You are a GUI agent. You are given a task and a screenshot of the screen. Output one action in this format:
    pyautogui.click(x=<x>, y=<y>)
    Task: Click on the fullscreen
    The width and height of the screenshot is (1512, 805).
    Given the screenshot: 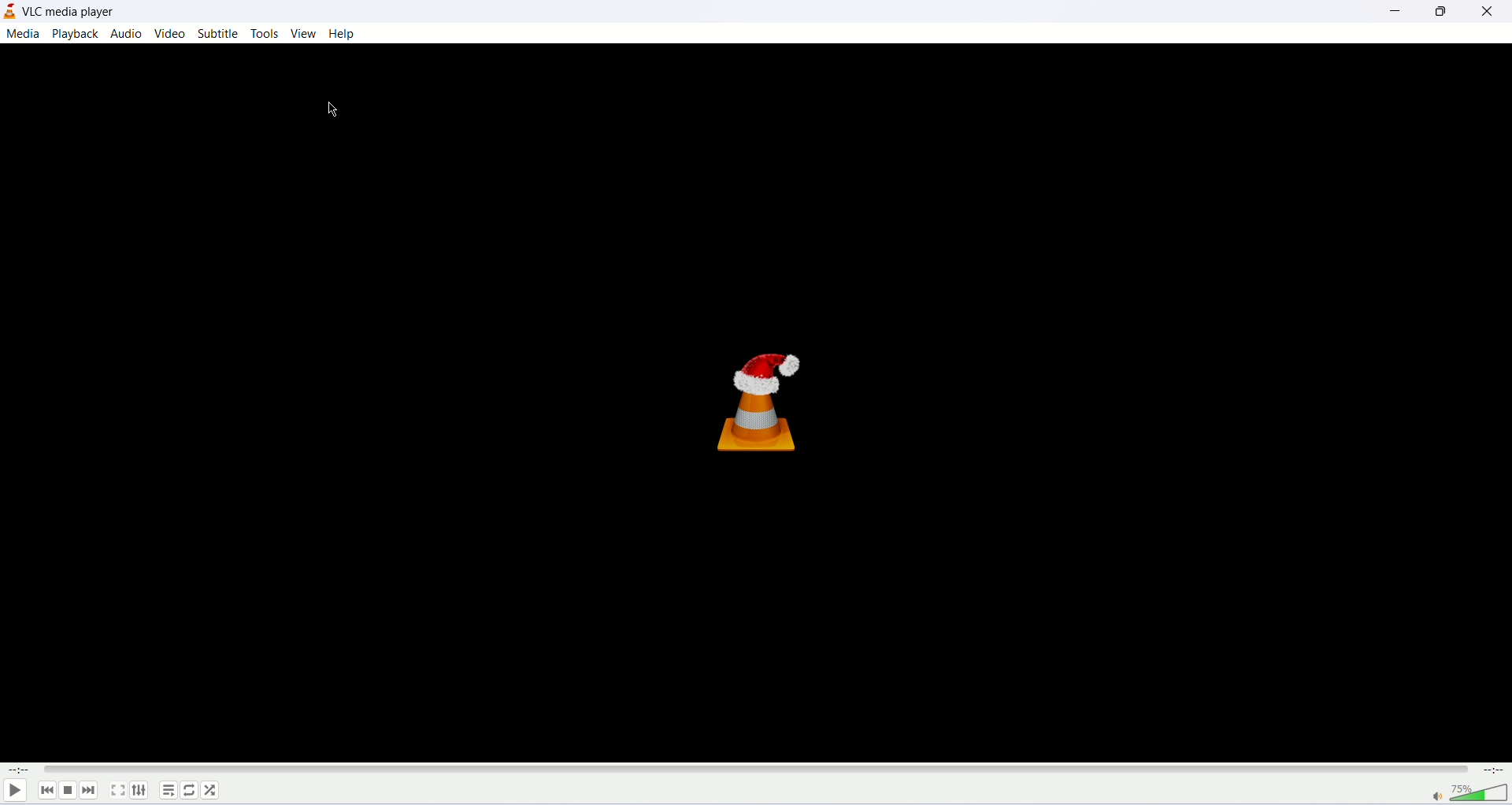 What is the action you would take?
    pyautogui.click(x=116, y=791)
    